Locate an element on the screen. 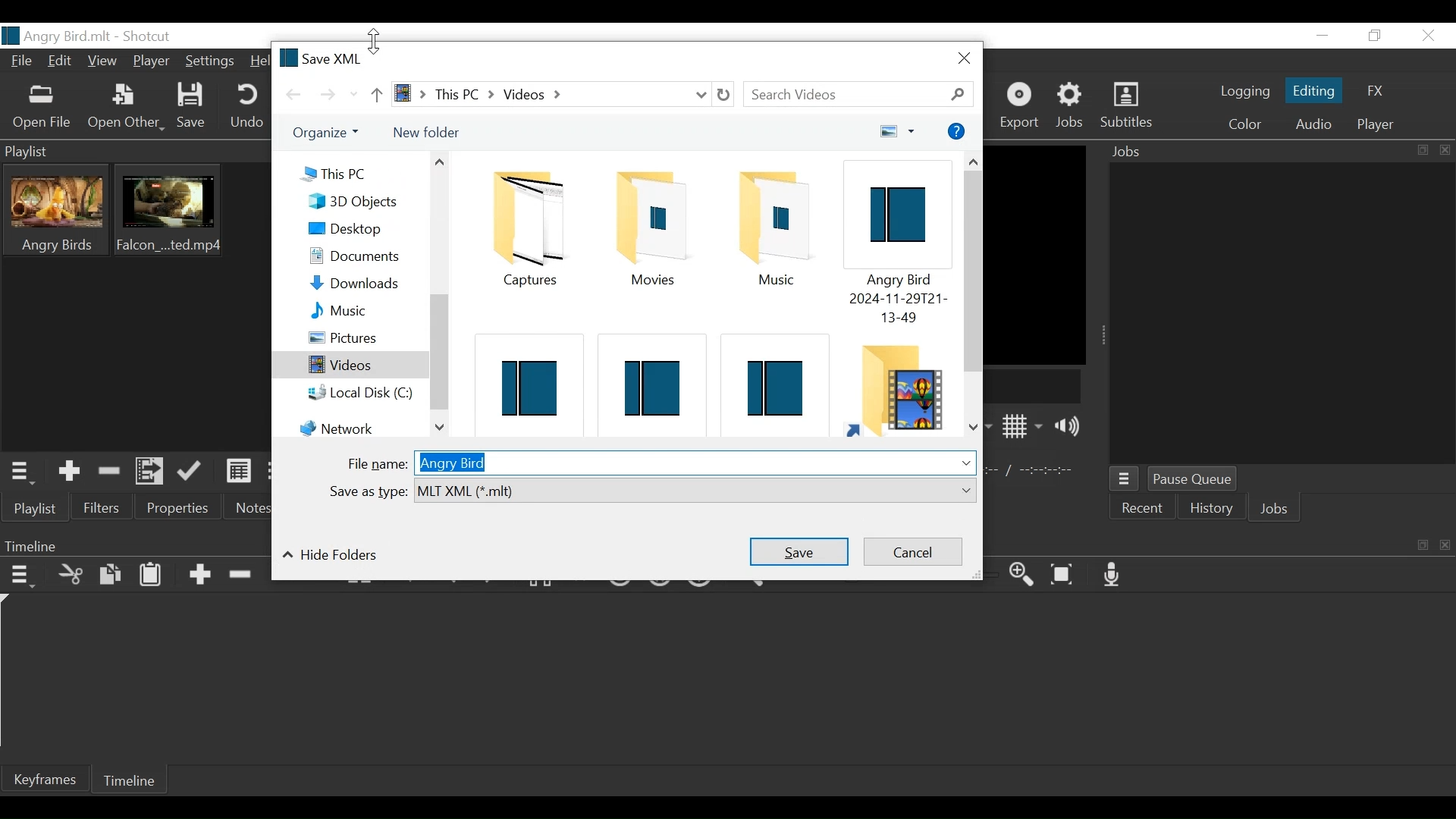 The image size is (1456, 819). Go up is located at coordinates (375, 93).